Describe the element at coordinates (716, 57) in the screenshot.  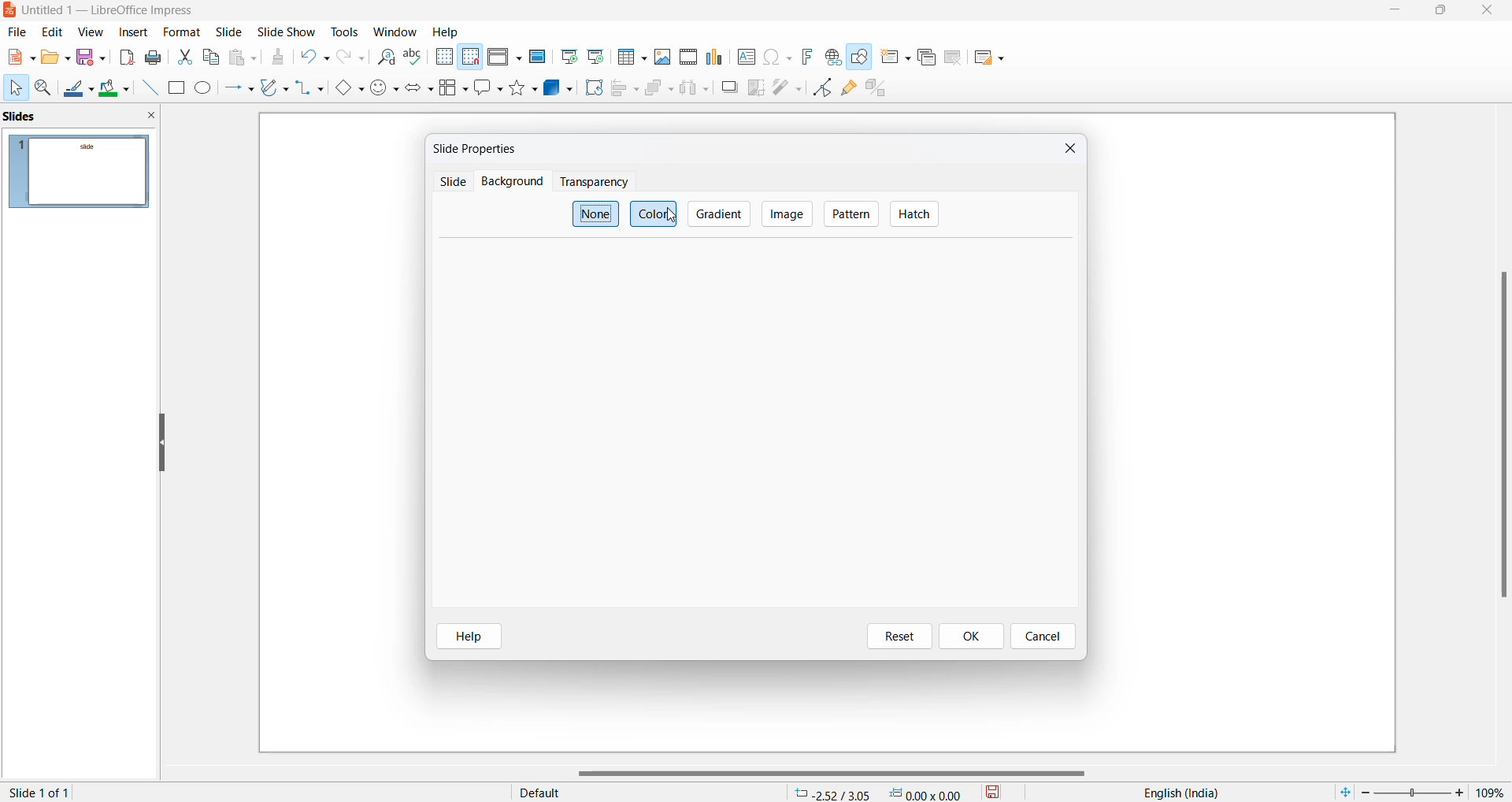
I see `insert charts ` at that location.